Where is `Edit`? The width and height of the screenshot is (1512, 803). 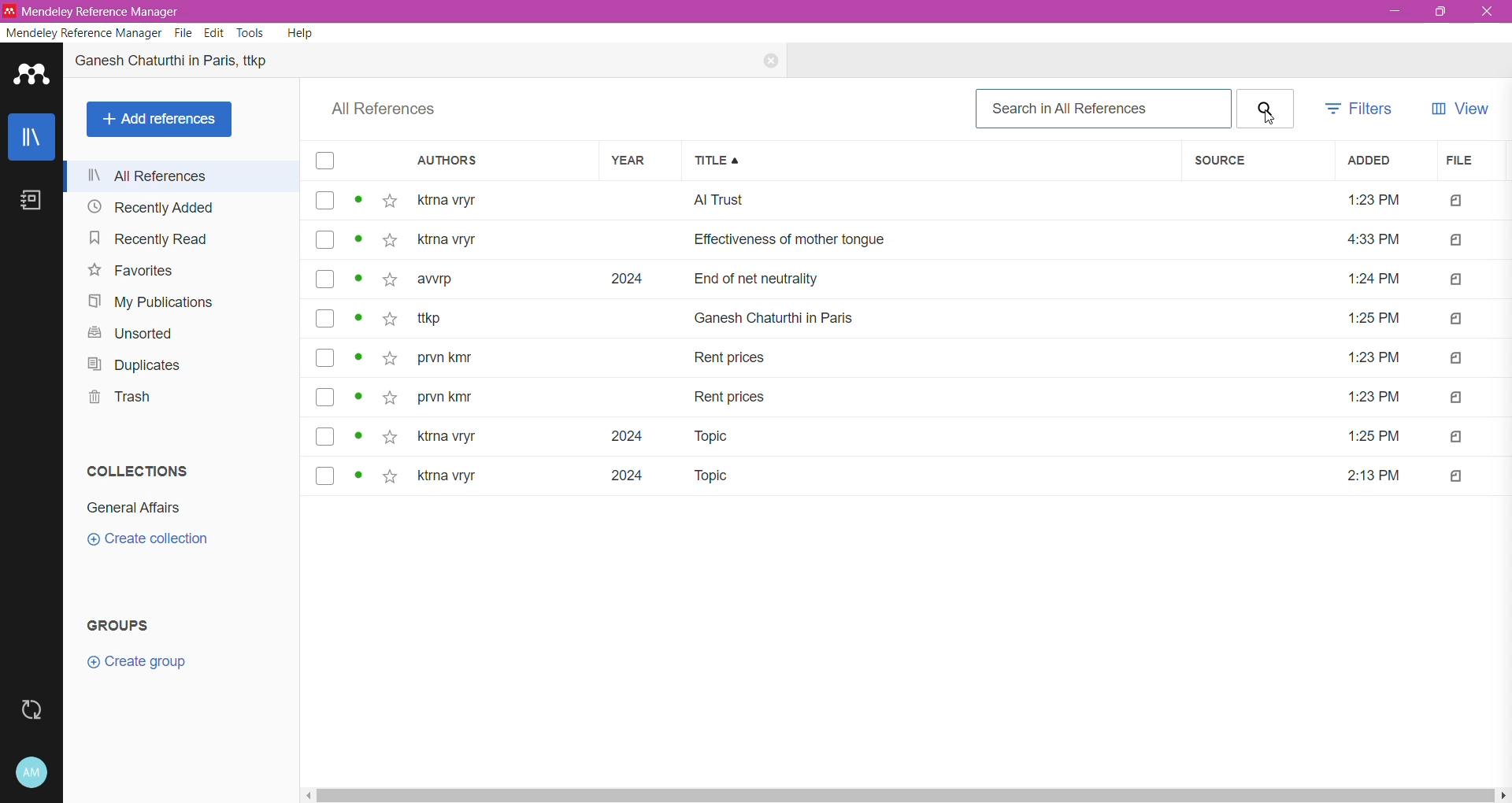 Edit is located at coordinates (213, 33).